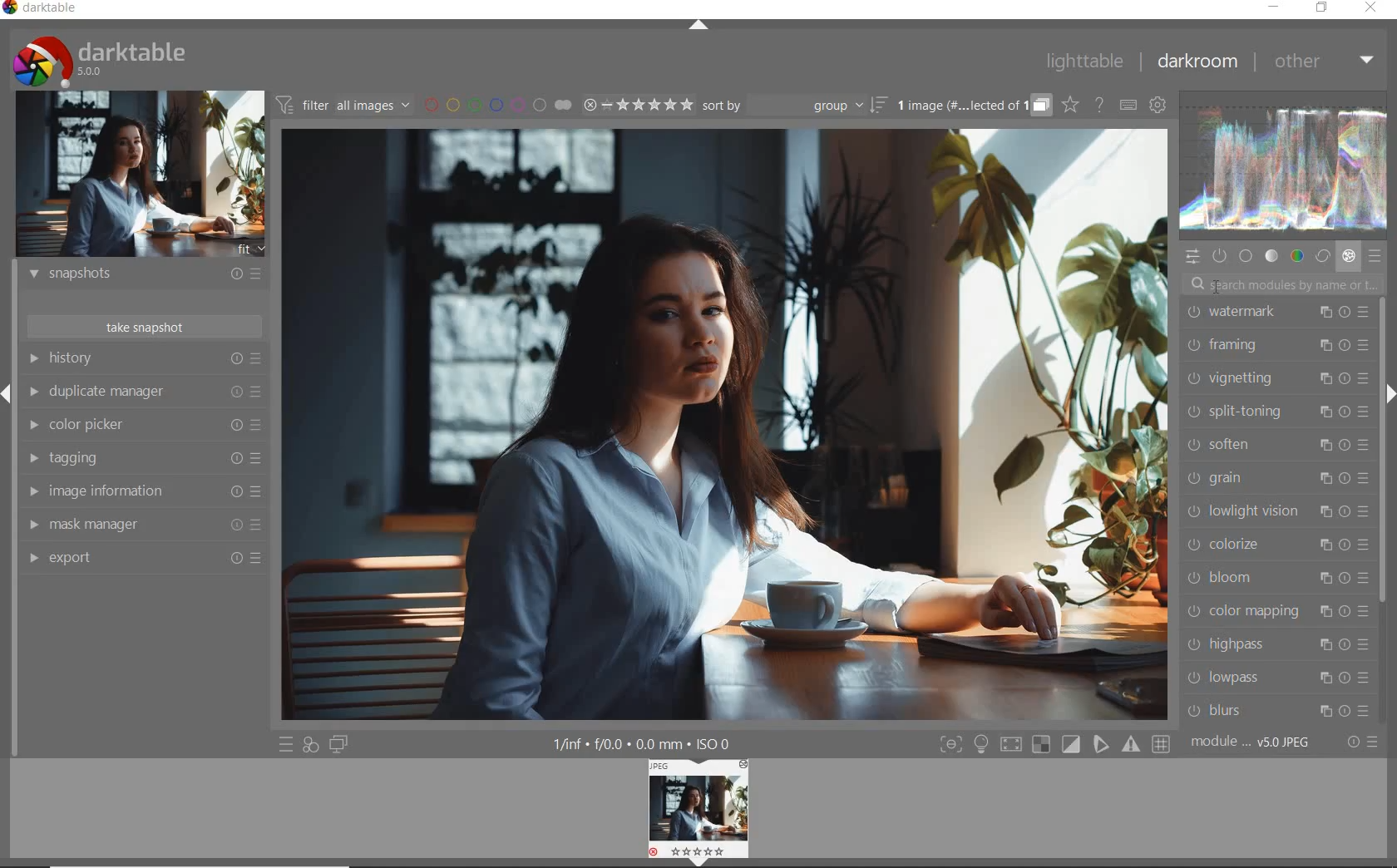  I want to click on correct, so click(1322, 254).